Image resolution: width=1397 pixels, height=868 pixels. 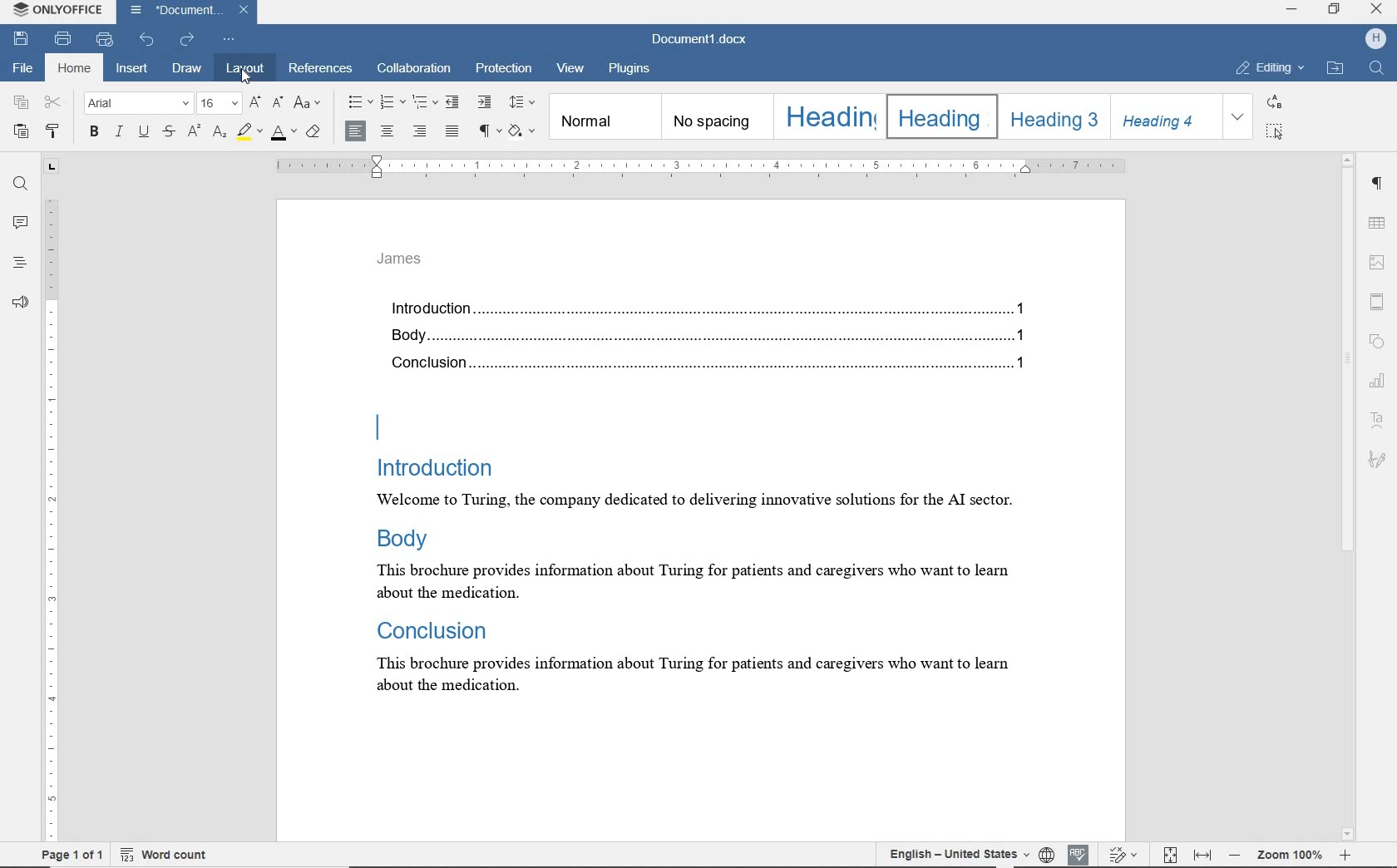 What do you see at coordinates (135, 103) in the screenshot?
I see `font` at bounding box center [135, 103].